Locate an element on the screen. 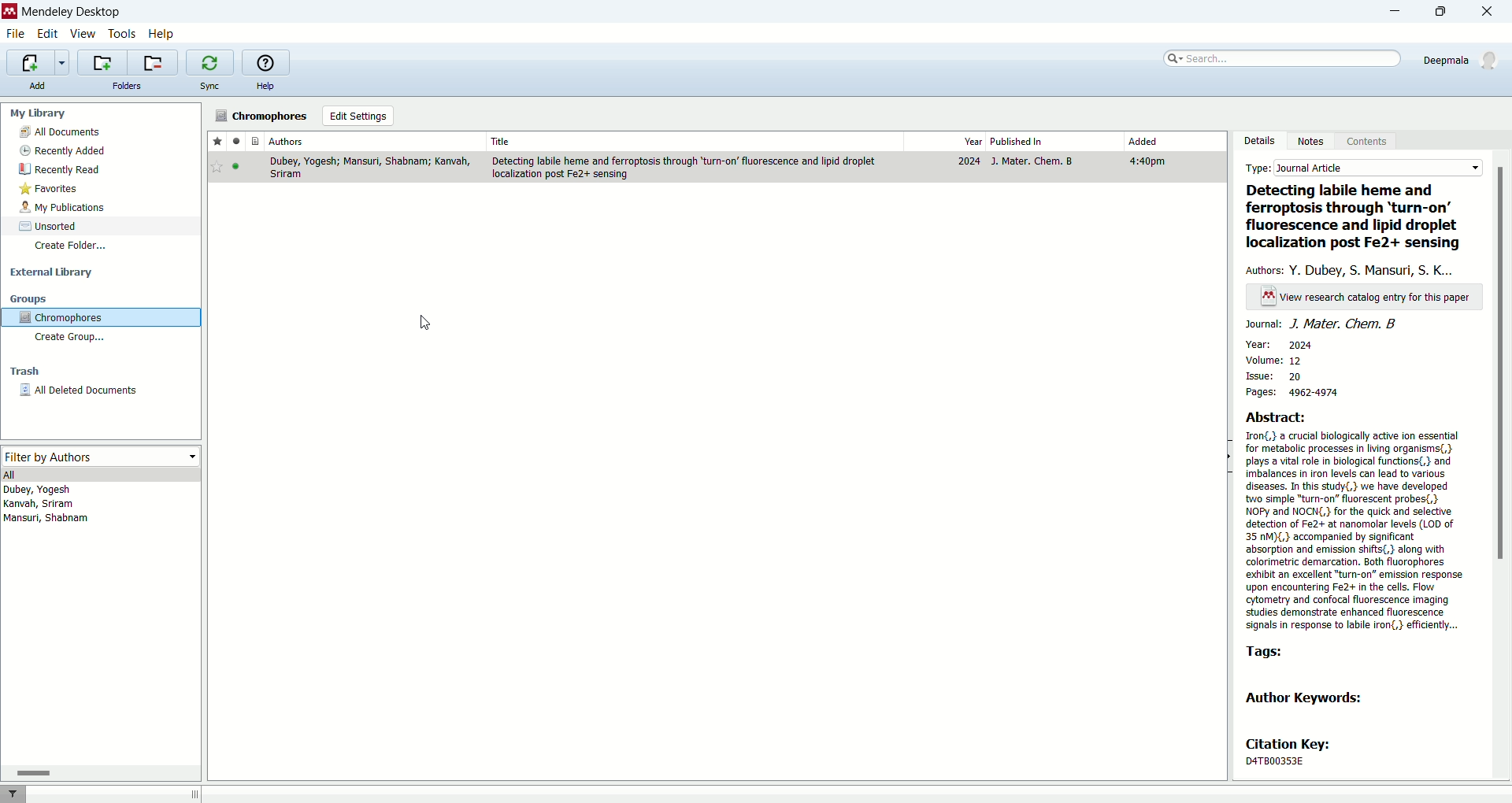 The image size is (1512, 803). my library is located at coordinates (40, 113).